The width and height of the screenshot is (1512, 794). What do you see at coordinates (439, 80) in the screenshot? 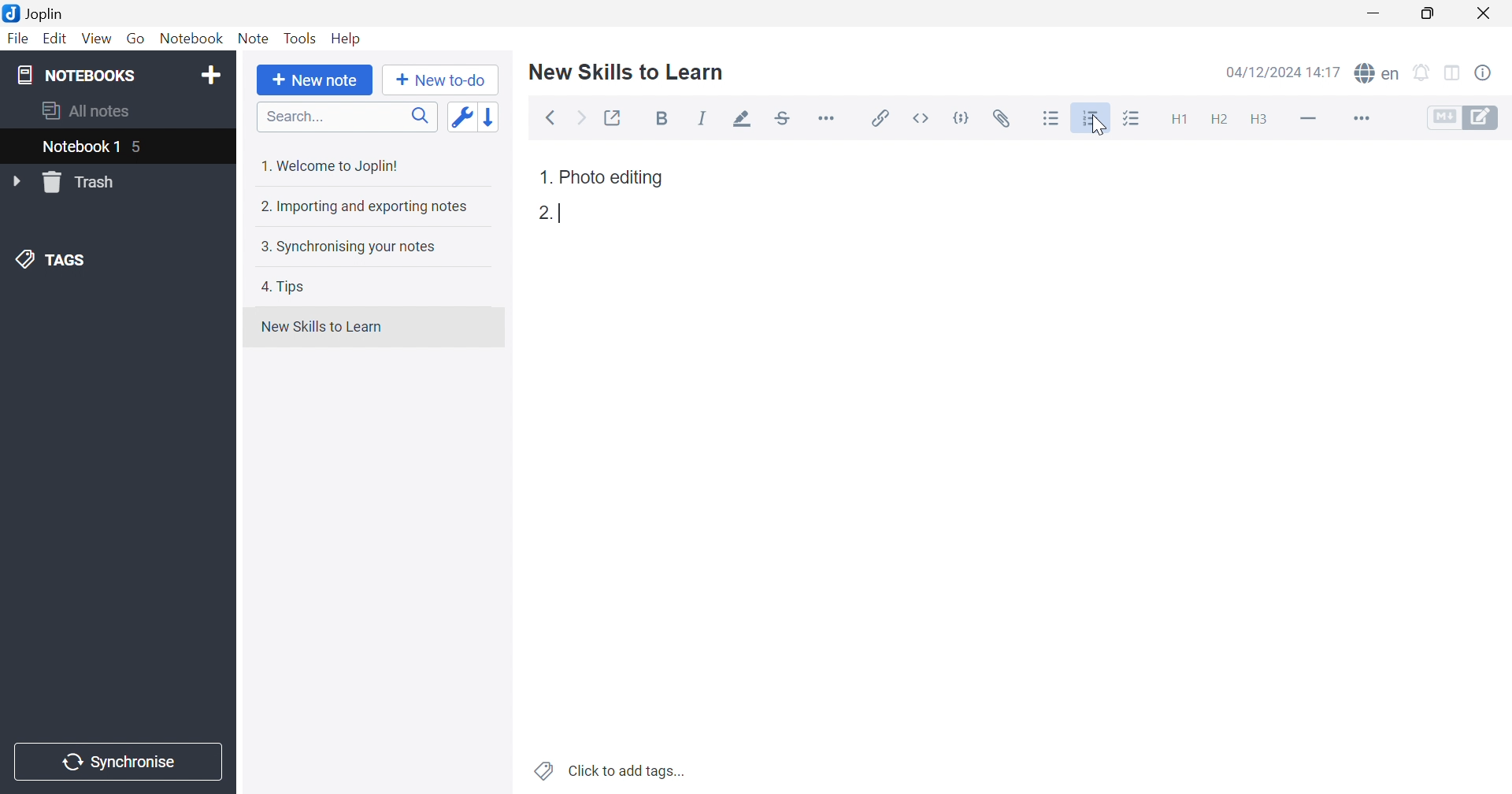
I see `New to-do` at bounding box center [439, 80].